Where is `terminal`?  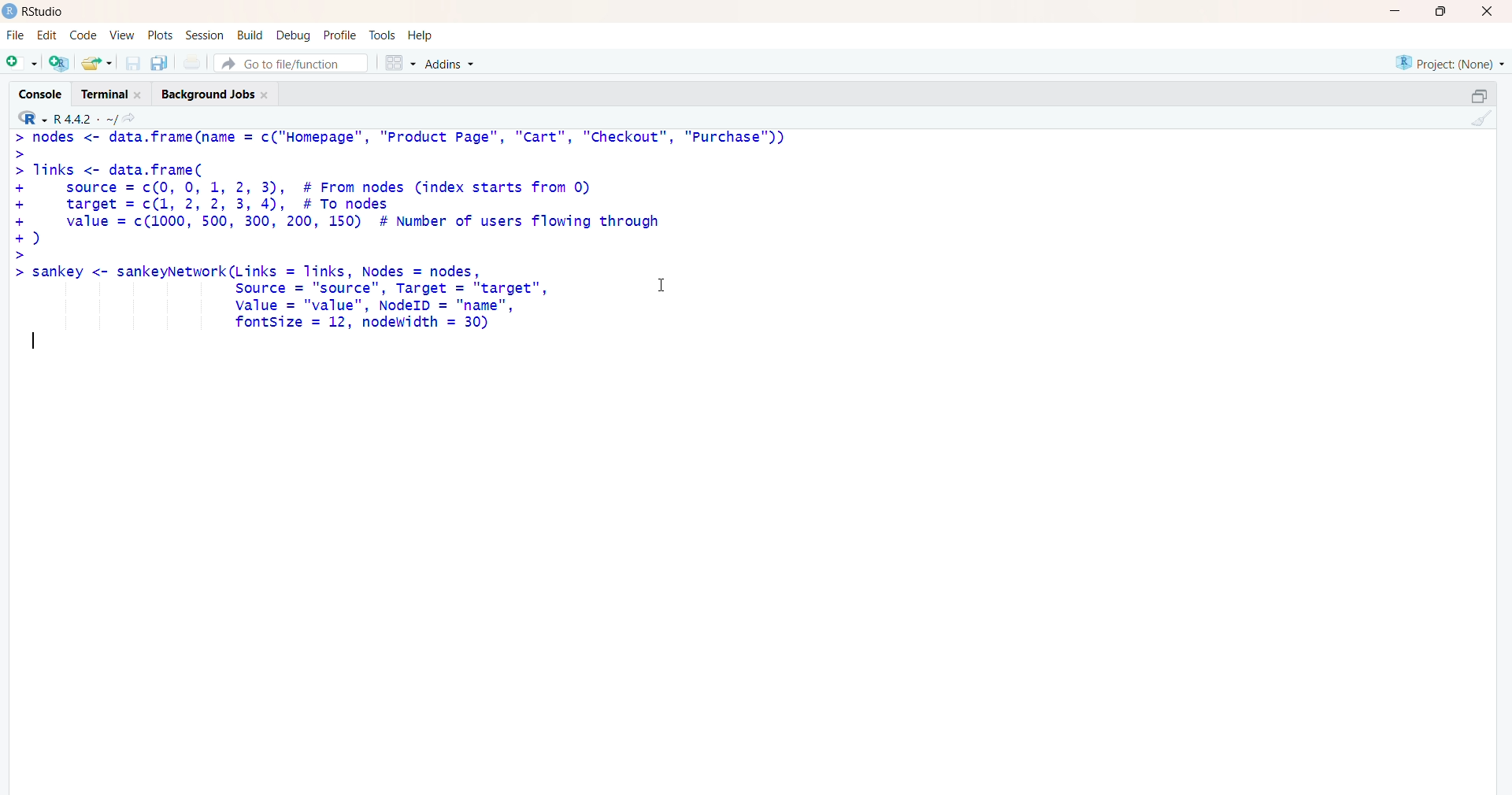
terminal is located at coordinates (108, 94).